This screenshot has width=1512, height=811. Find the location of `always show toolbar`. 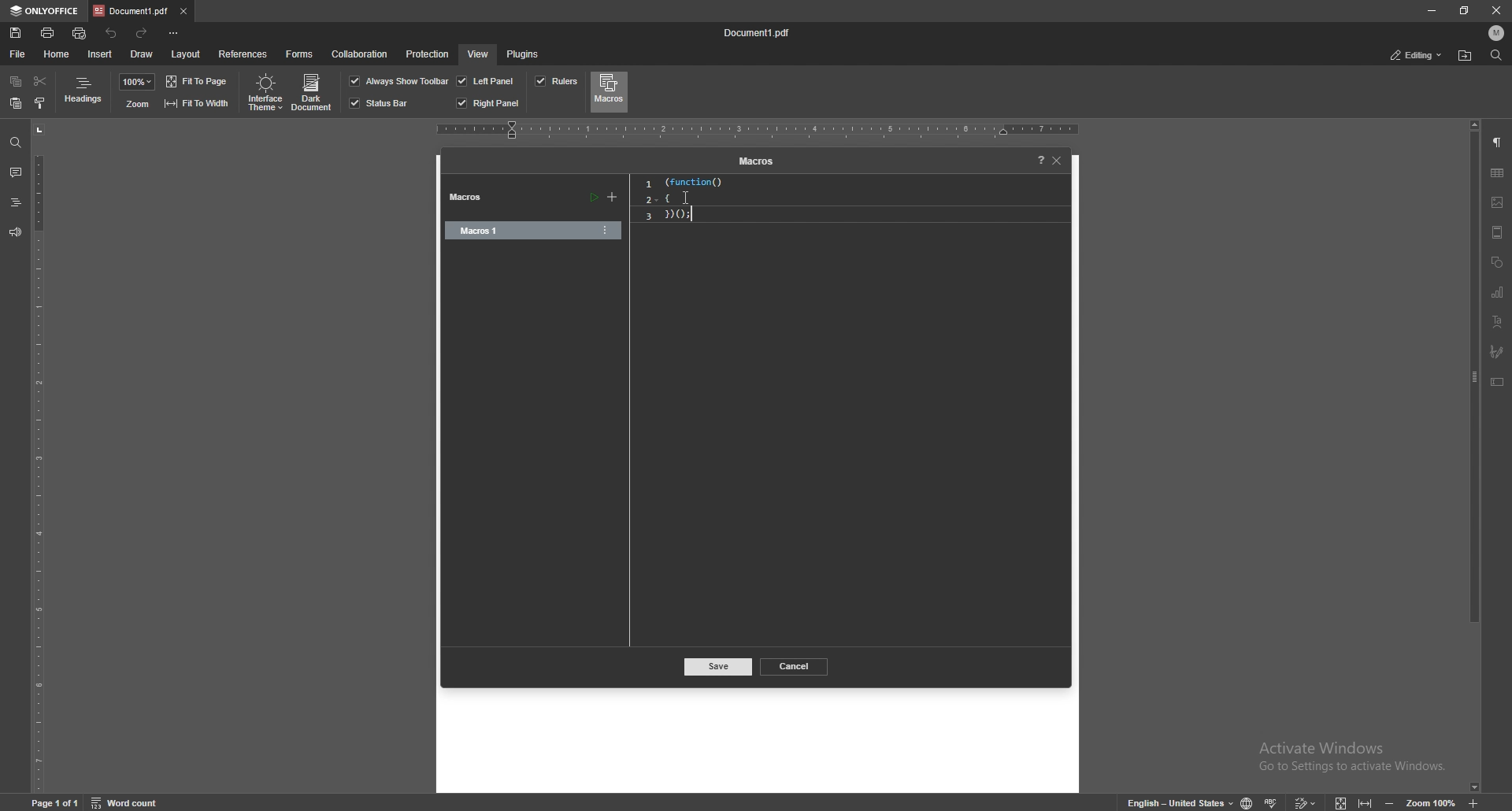

always show toolbar is located at coordinates (399, 80).